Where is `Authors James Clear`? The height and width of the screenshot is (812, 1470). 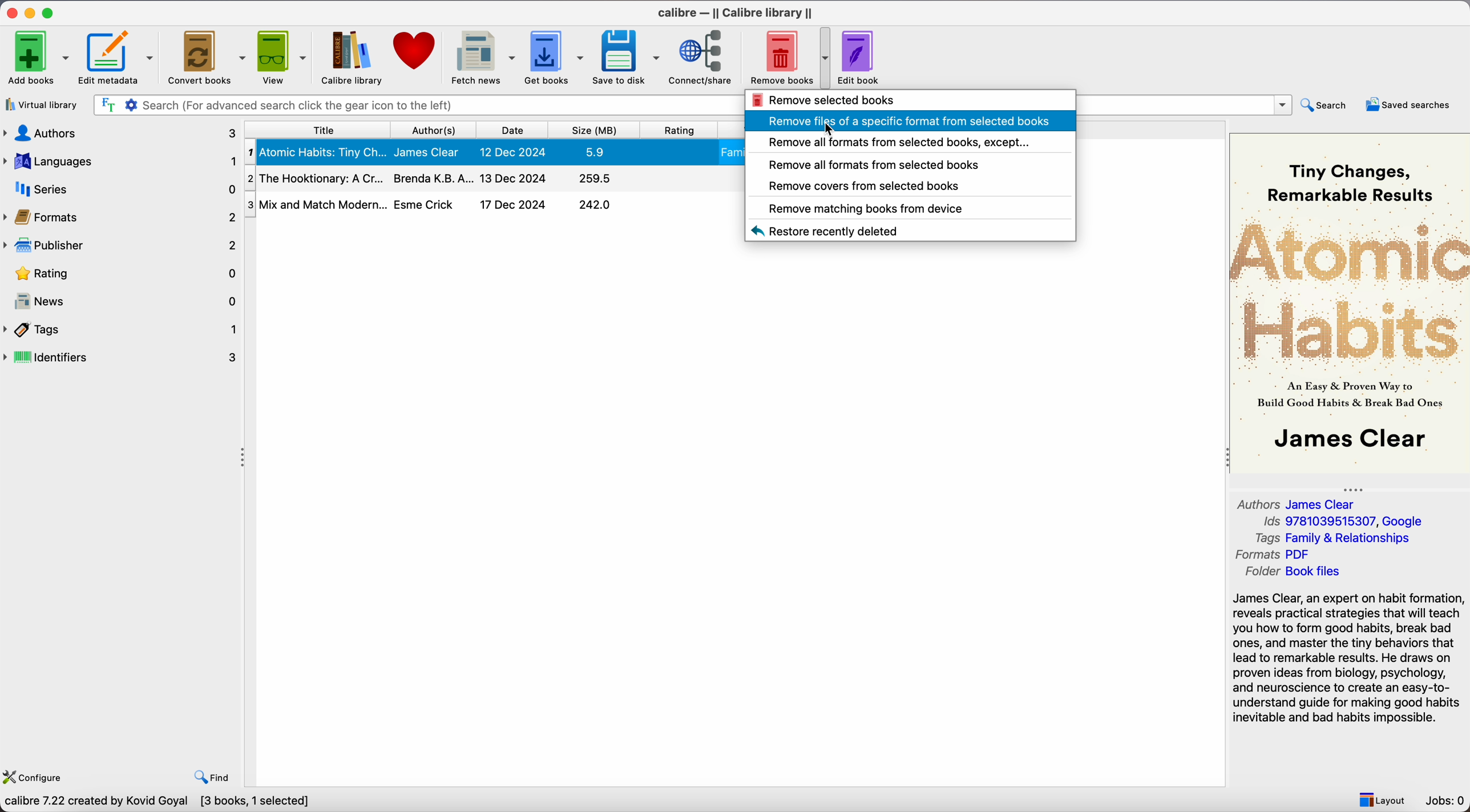 Authors James Clear is located at coordinates (1290, 503).